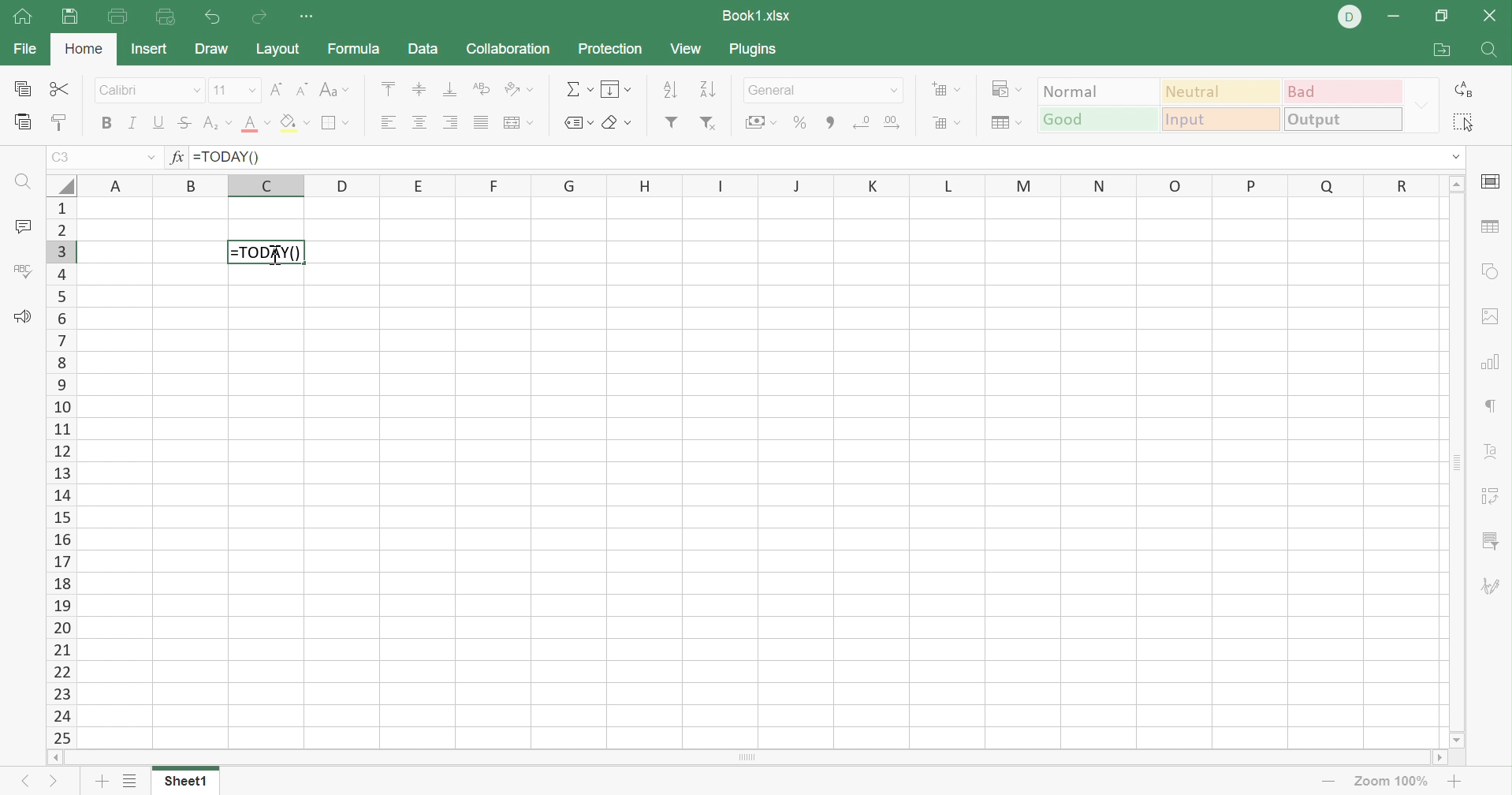 Image resolution: width=1512 pixels, height=795 pixels. Describe the element at coordinates (863, 124) in the screenshot. I see `Decrease decimal` at that location.